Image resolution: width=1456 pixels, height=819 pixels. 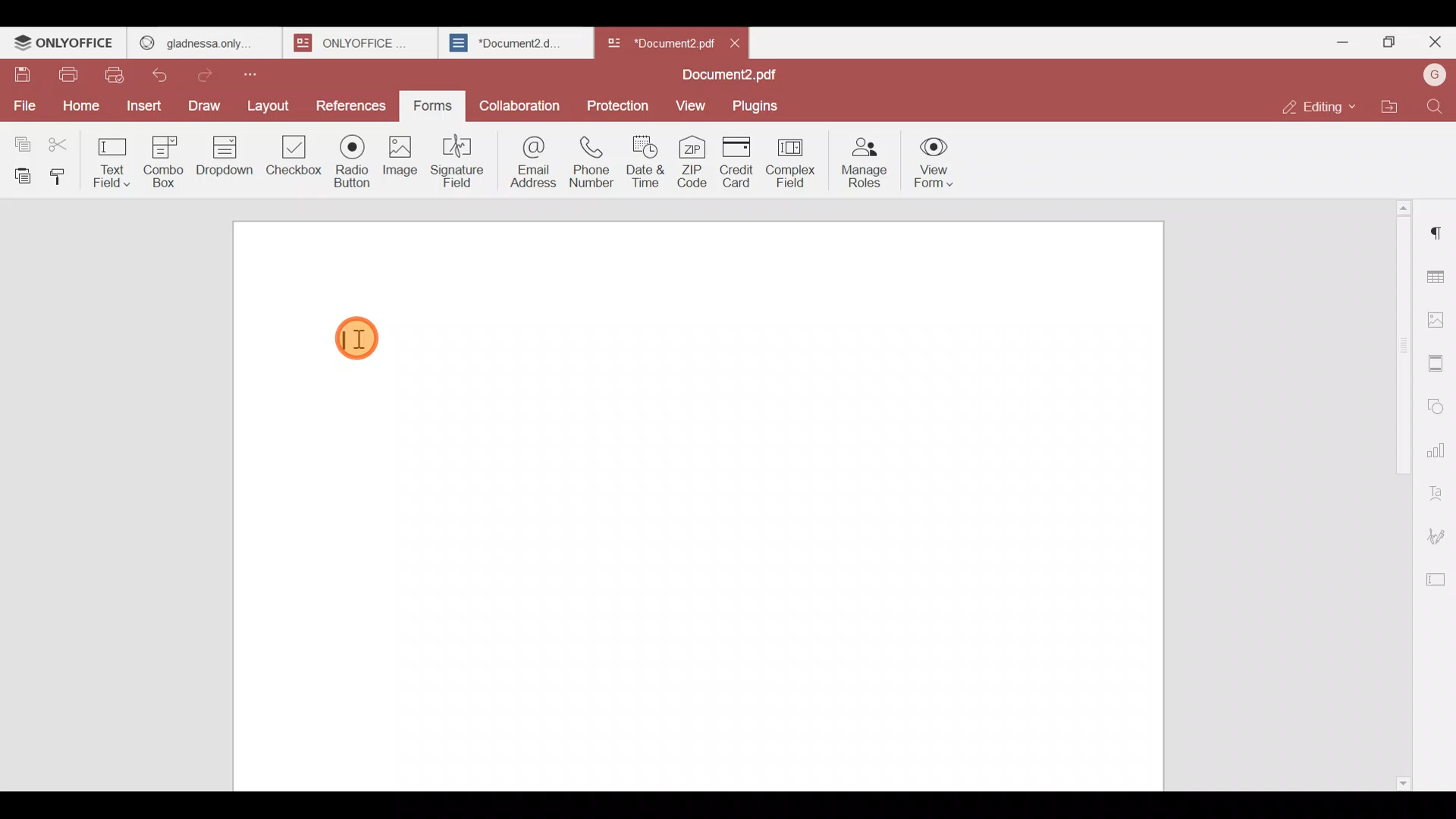 What do you see at coordinates (144, 109) in the screenshot?
I see `Insert` at bounding box center [144, 109].